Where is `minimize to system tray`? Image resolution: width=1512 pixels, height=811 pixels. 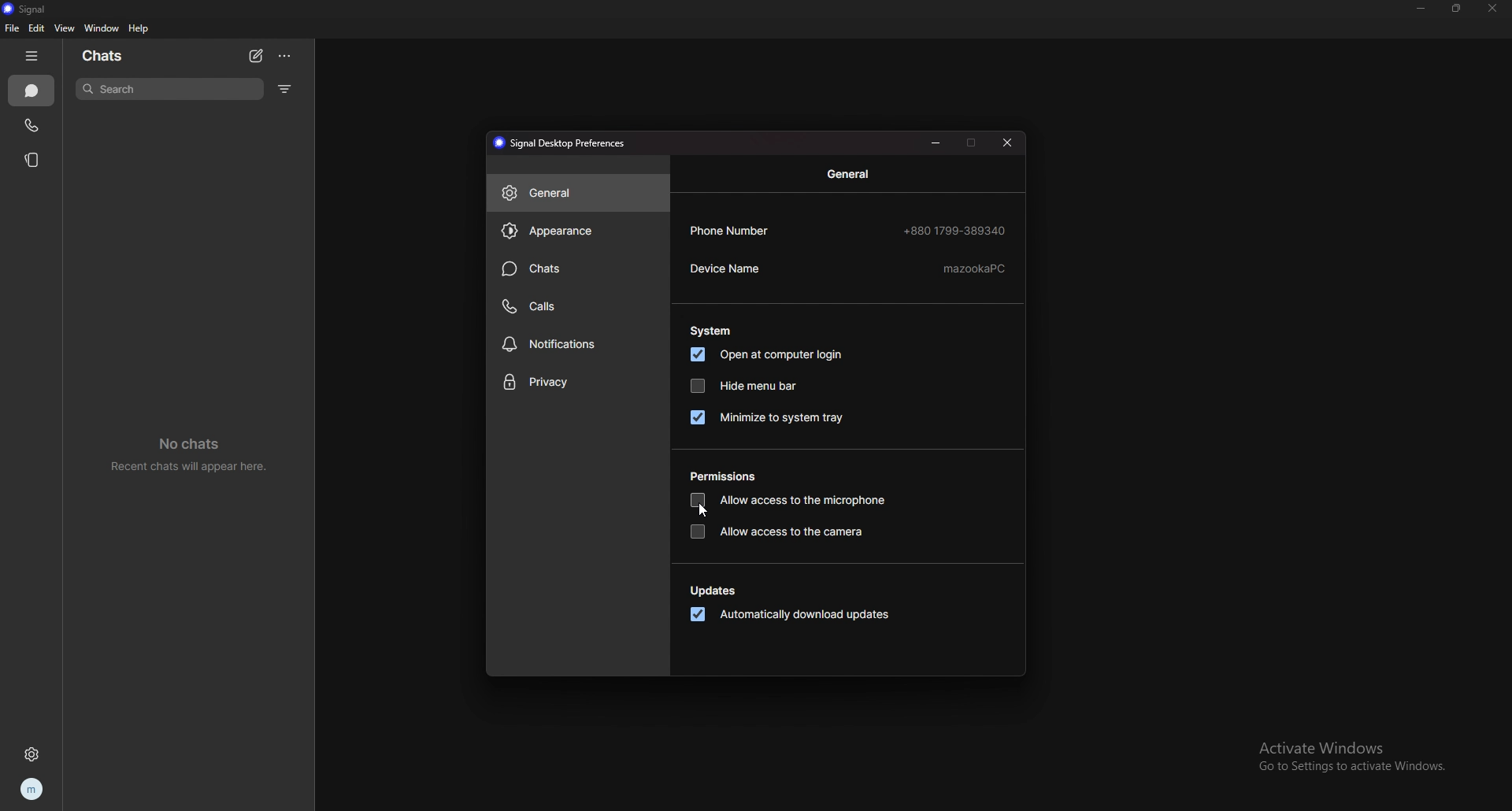 minimize to system tray is located at coordinates (769, 416).